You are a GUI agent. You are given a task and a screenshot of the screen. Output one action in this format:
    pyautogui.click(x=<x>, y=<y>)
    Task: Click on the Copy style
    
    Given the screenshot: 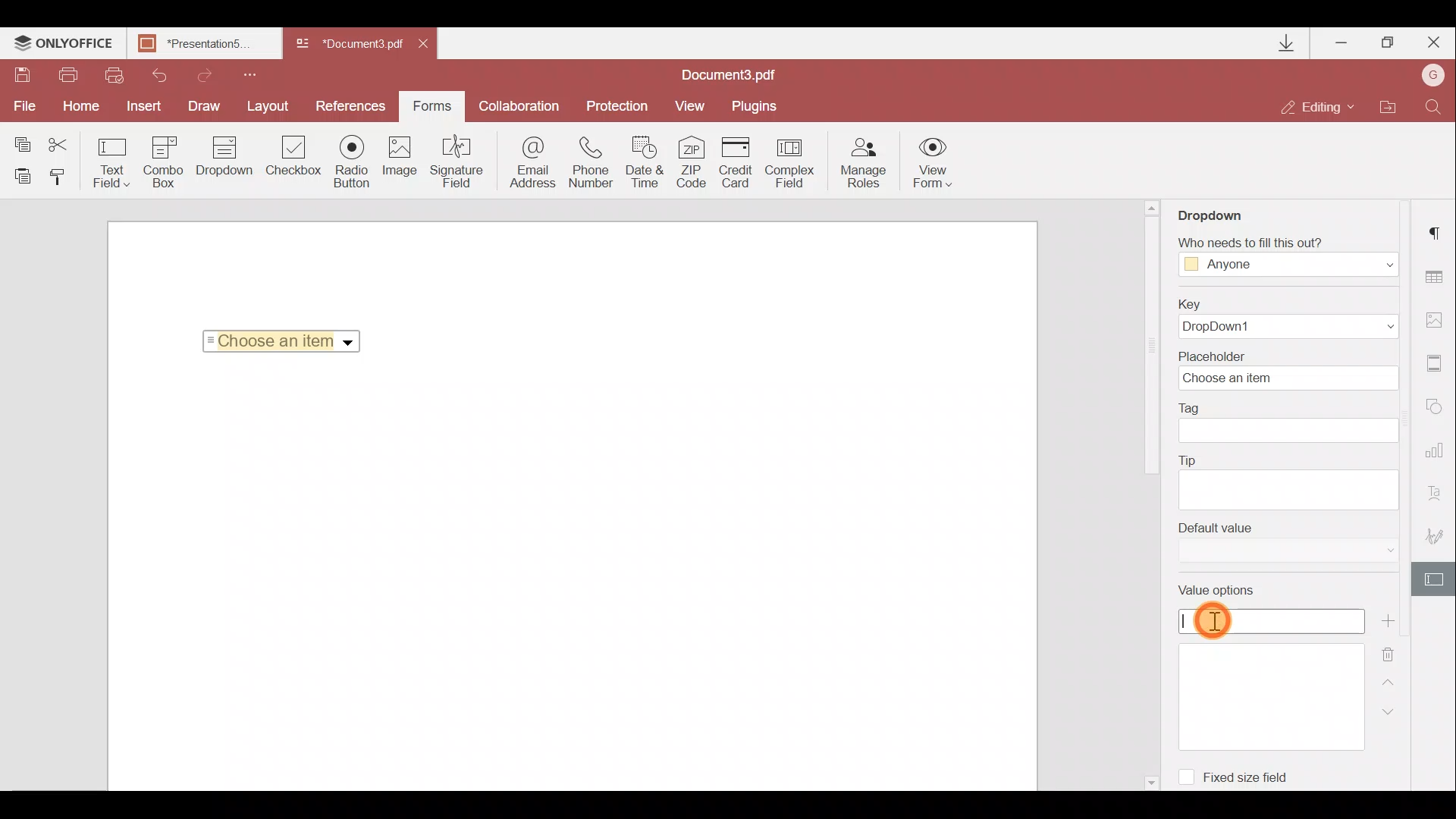 What is the action you would take?
    pyautogui.click(x=62, y=176)
    